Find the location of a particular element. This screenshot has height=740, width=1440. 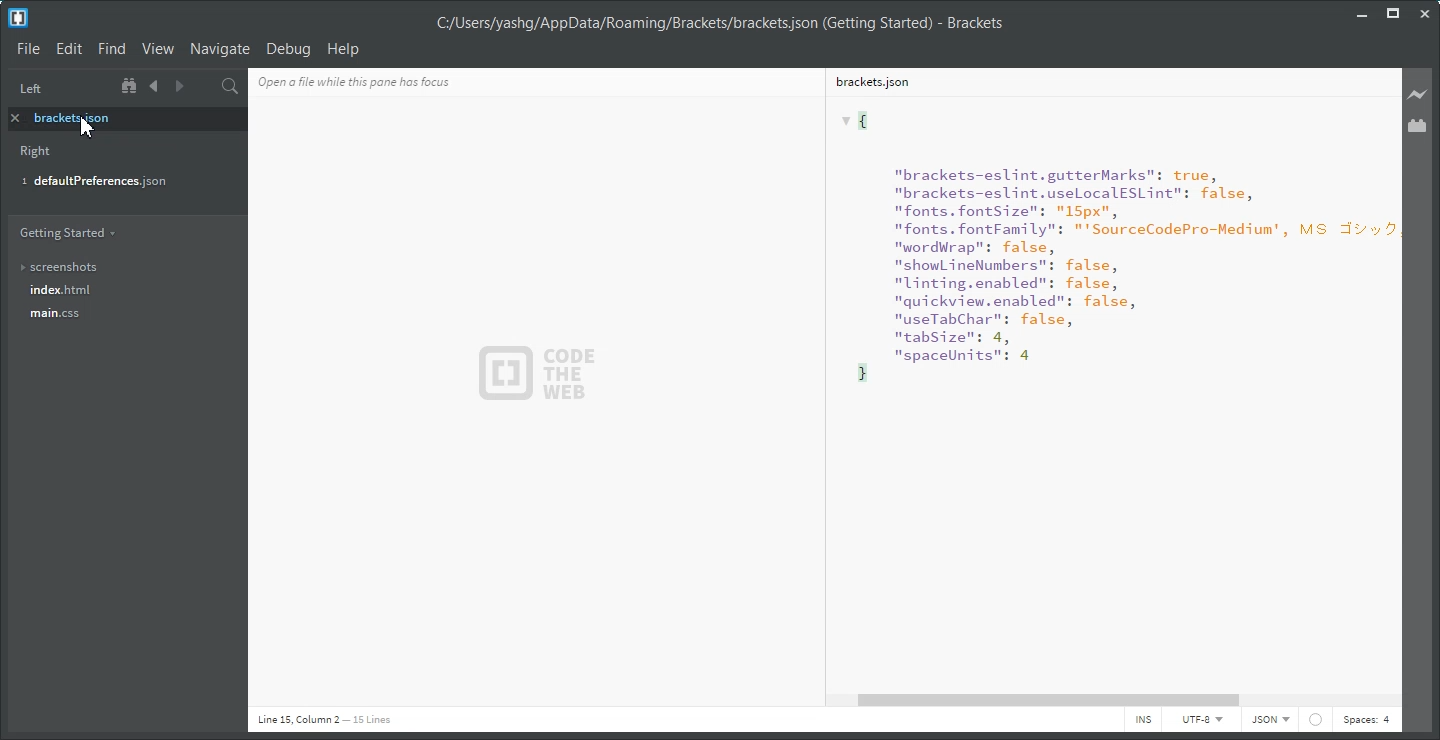

circle is located at coordinates (1315, 723).